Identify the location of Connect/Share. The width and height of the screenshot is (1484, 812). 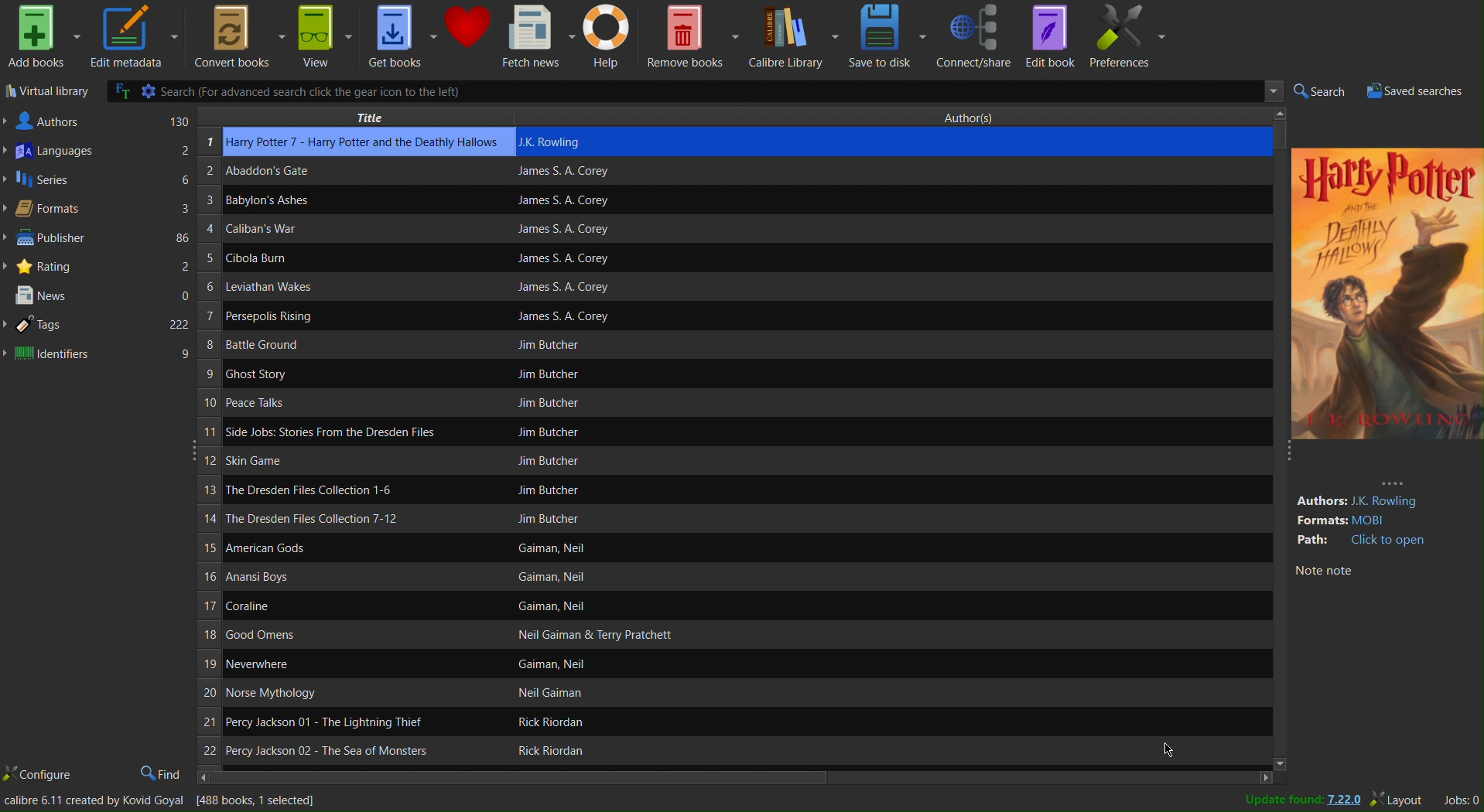
(976, 36).